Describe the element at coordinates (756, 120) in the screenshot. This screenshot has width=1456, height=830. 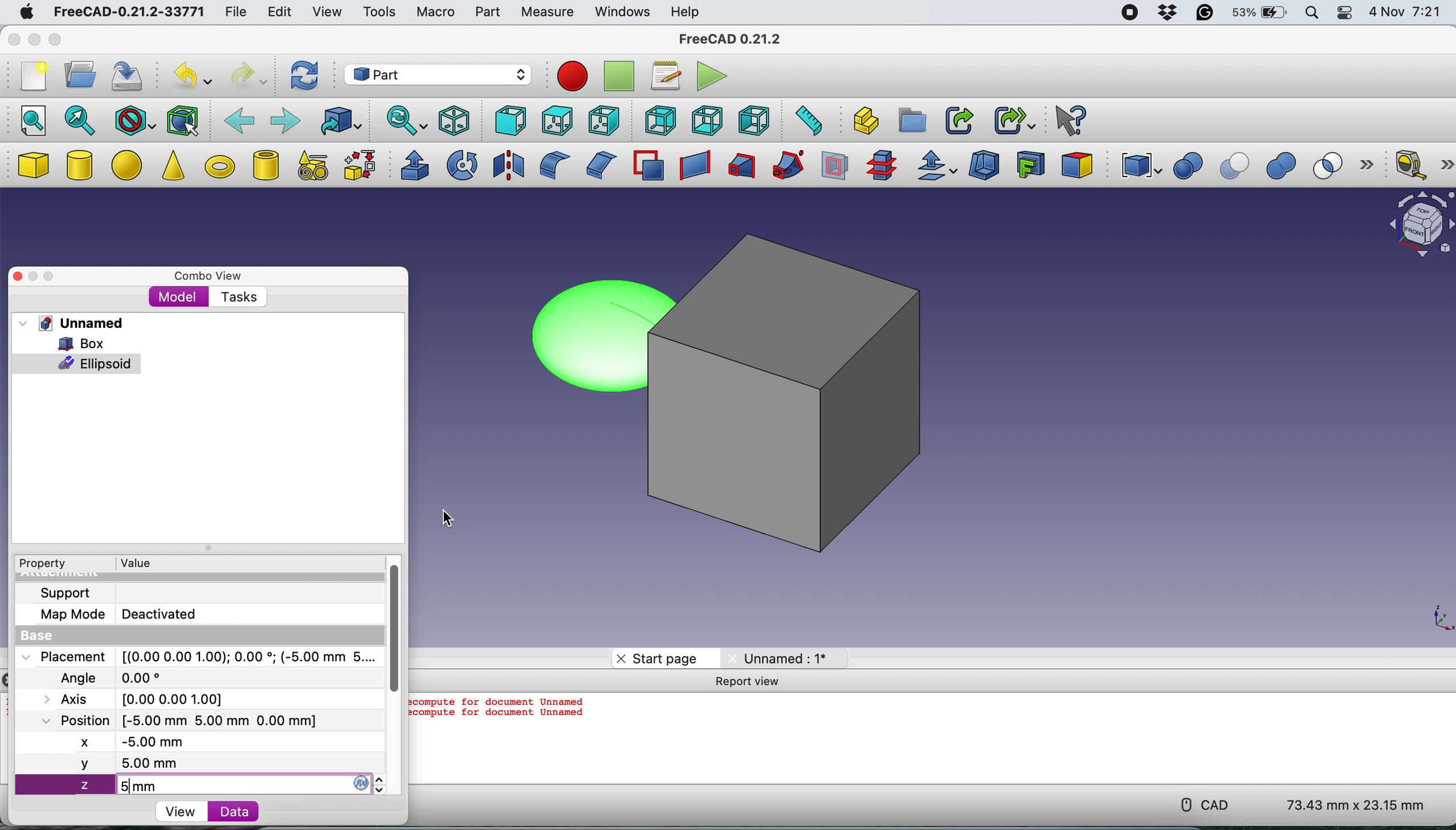
I see `left` at that location.